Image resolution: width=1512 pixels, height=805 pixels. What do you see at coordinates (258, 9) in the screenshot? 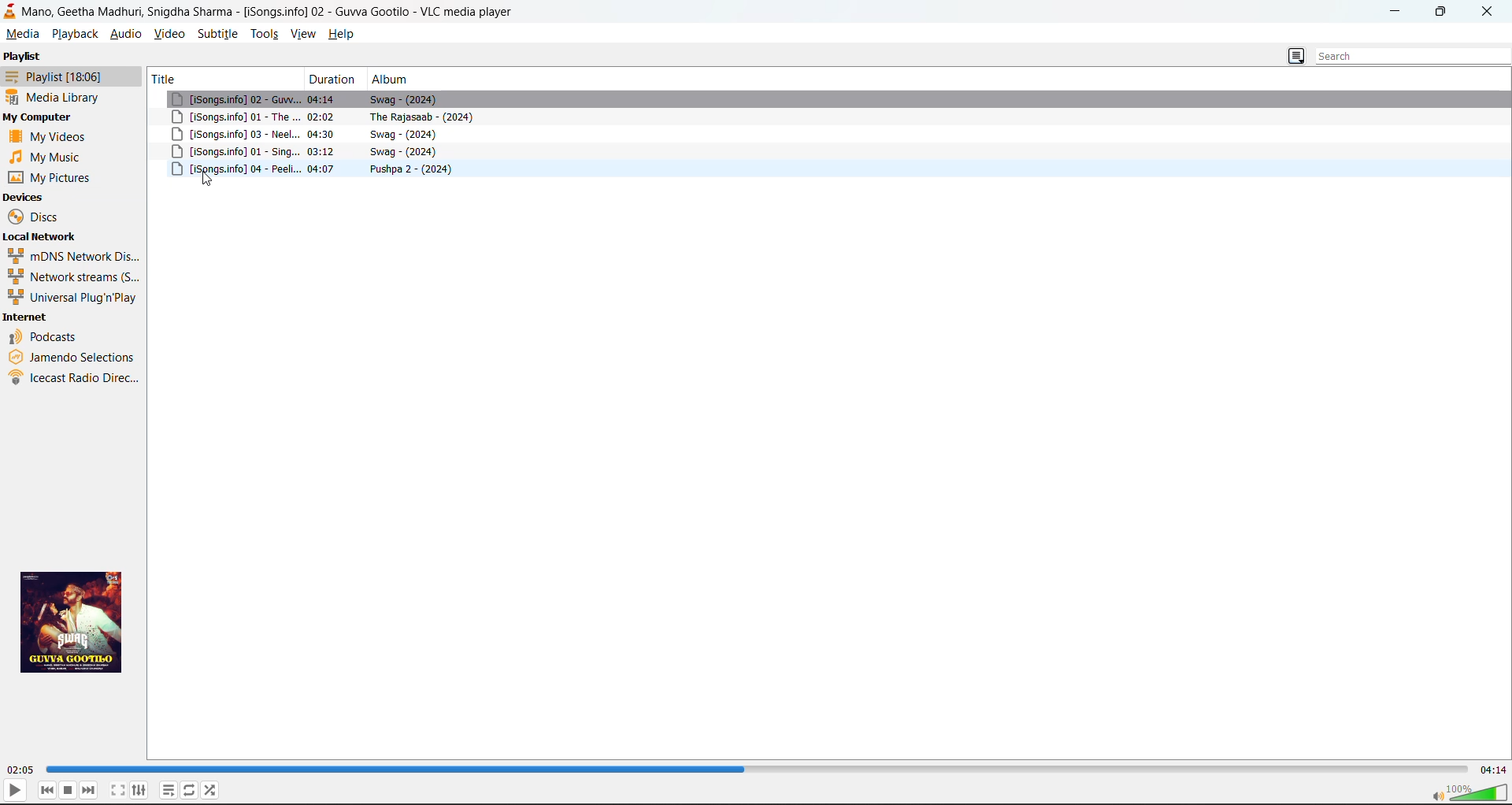
I see `Mano, Geetha Madhuri, Snigdha Sharma - [iSongs.info] 02 - Guvva gootilo - VLC media player` at bounding box center [258, 9].